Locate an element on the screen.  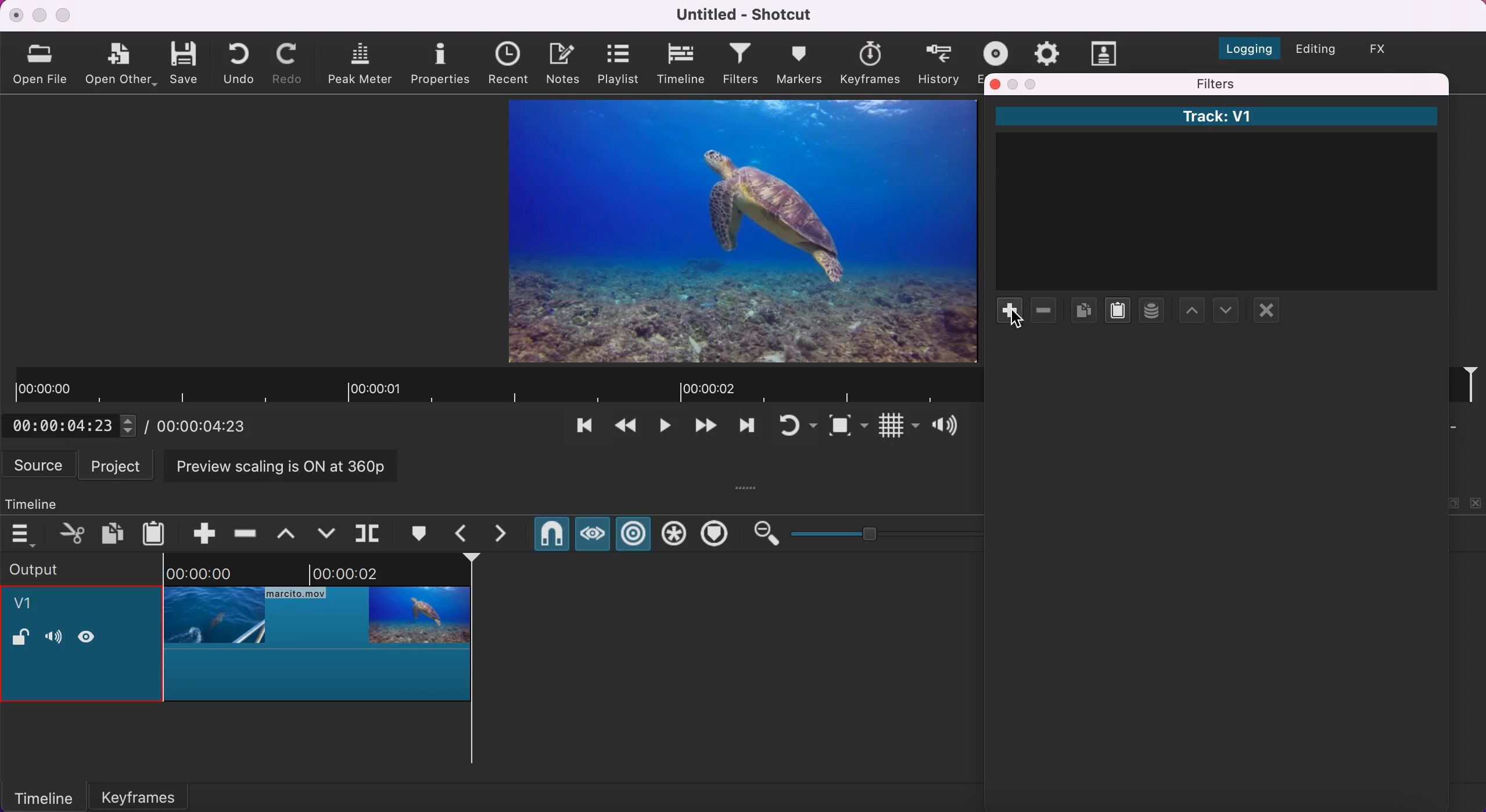
next marker is located at coordinates (508, 534).